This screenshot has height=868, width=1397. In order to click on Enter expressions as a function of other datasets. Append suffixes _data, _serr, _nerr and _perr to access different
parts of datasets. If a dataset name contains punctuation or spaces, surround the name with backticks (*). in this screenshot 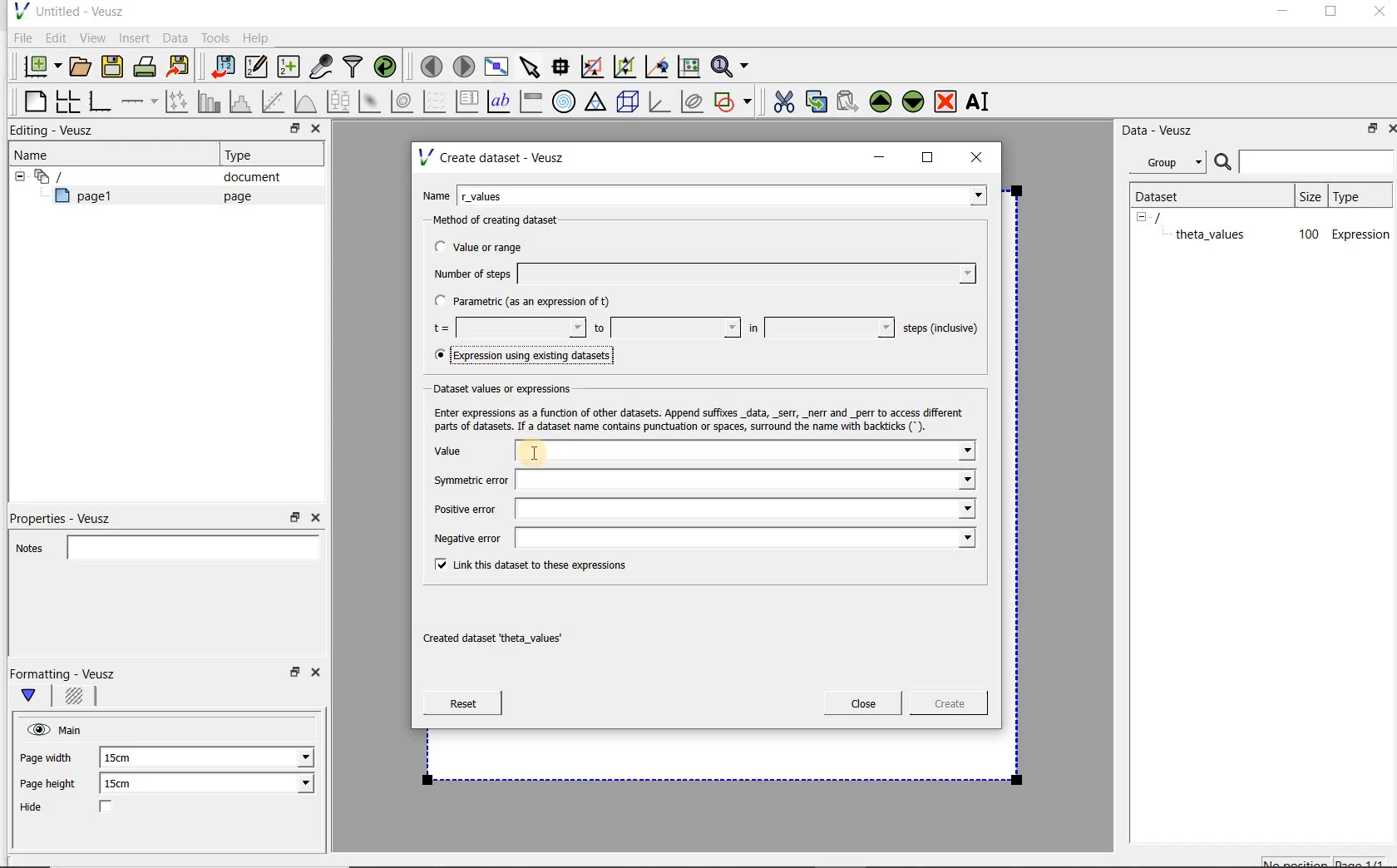, I will do `click(695, 417)`.